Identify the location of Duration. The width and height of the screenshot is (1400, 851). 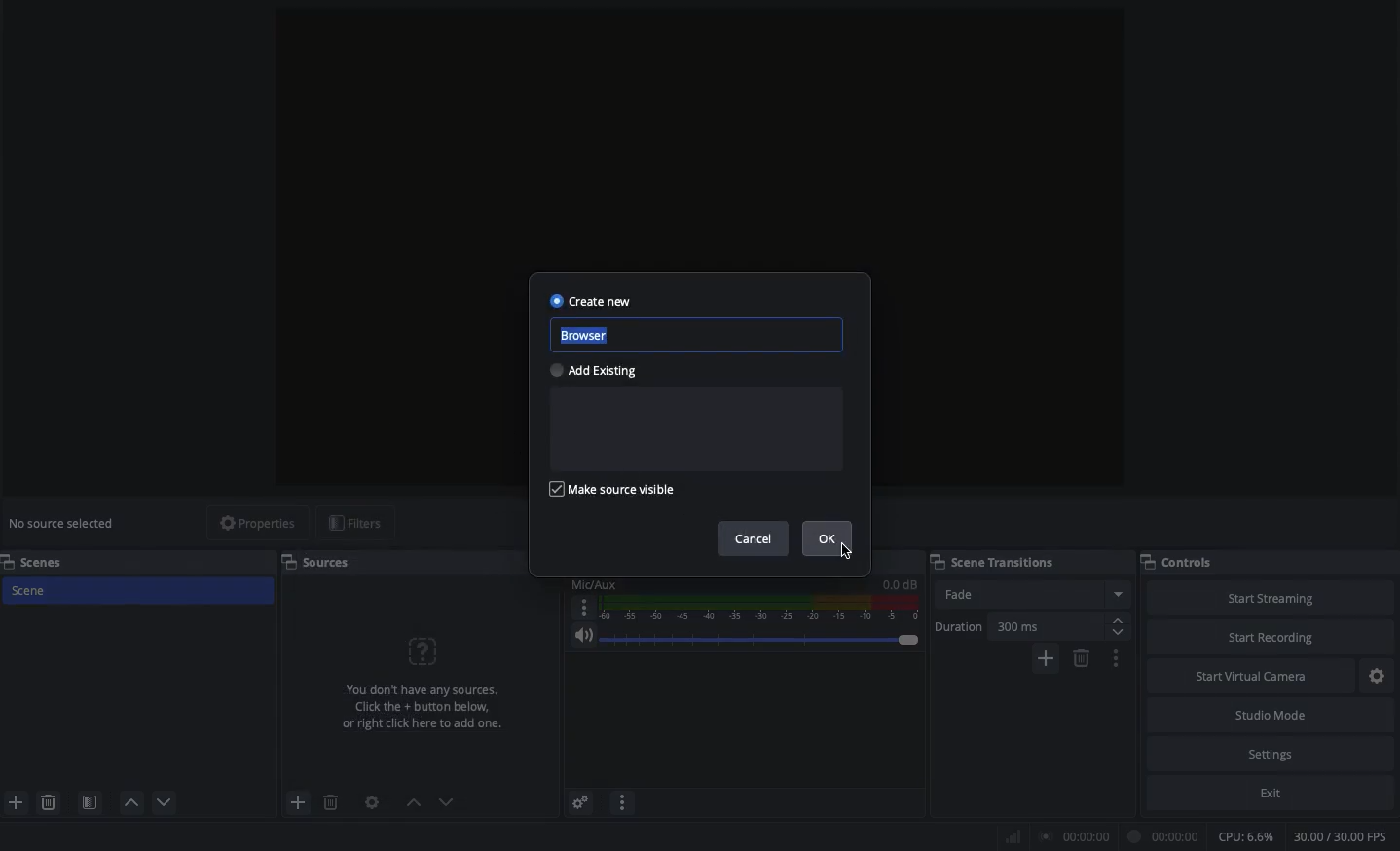
(1027, 626).